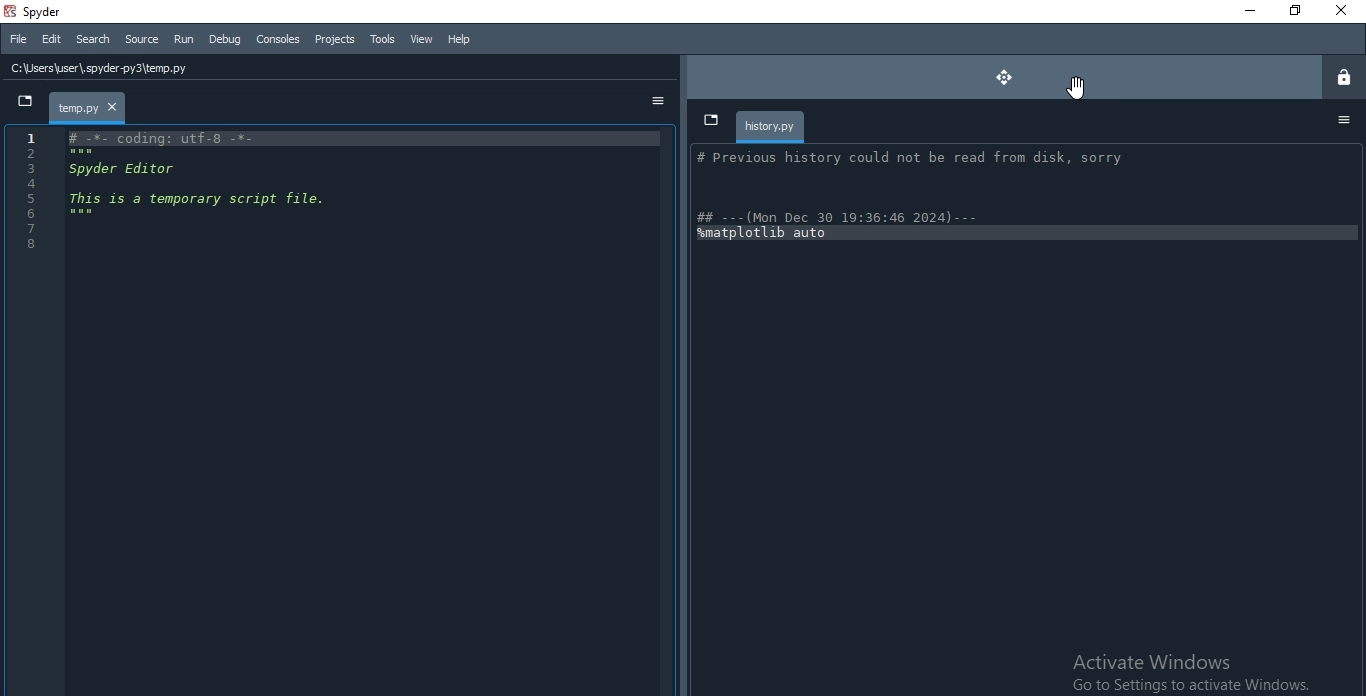 Image resolution: width=1366 pixels, height=696 pixels. Describe the element at coordinates (769, 126) in the screenshot. I see `history.py` at that location.